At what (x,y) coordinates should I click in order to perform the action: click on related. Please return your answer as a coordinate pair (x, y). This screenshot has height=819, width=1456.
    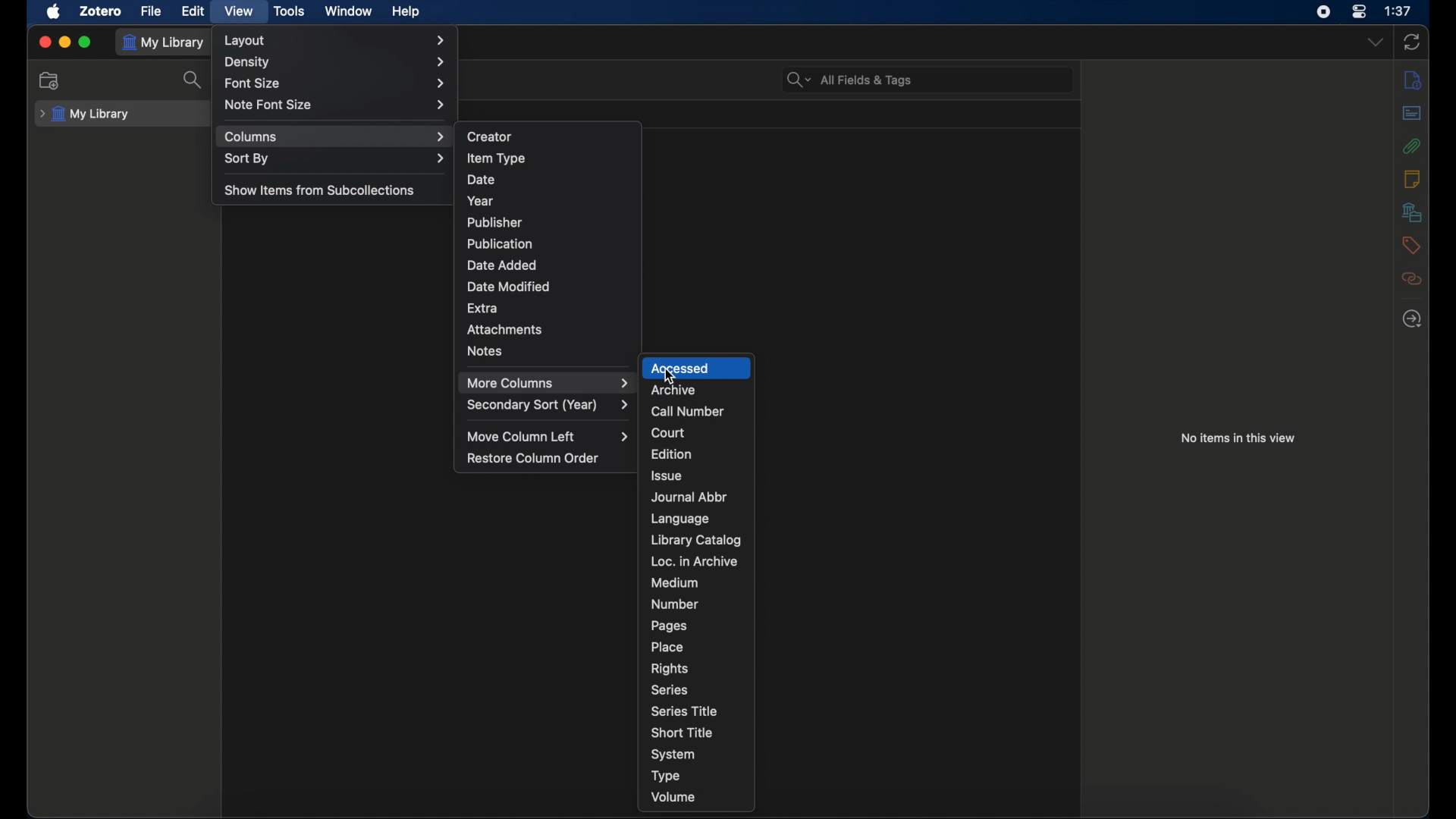
    Looking at the image, I should click on (1414, 278).